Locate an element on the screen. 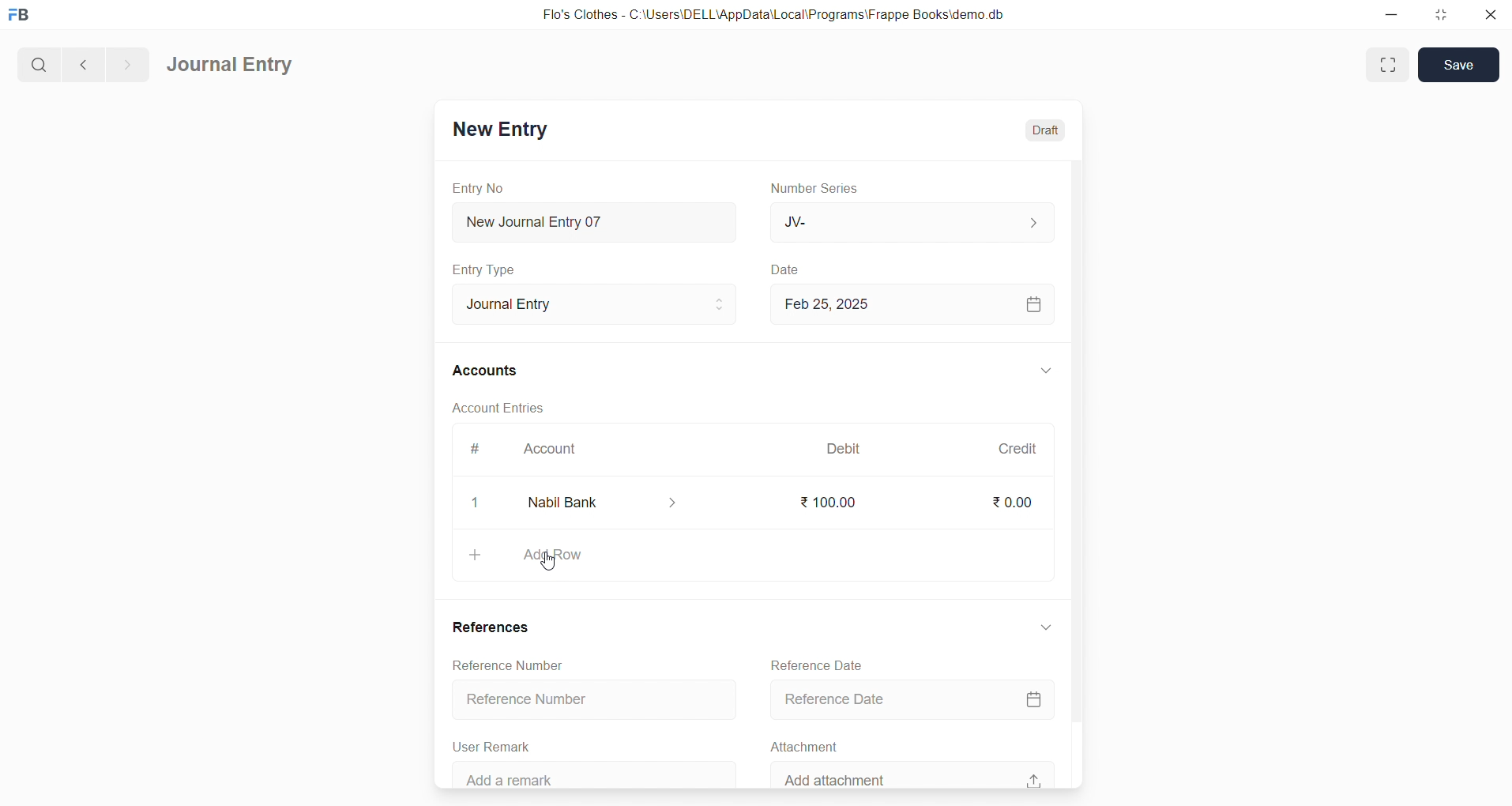 This screenshot has width=1512, height=806. expand/collapse is located at coordinates (1046, 632).